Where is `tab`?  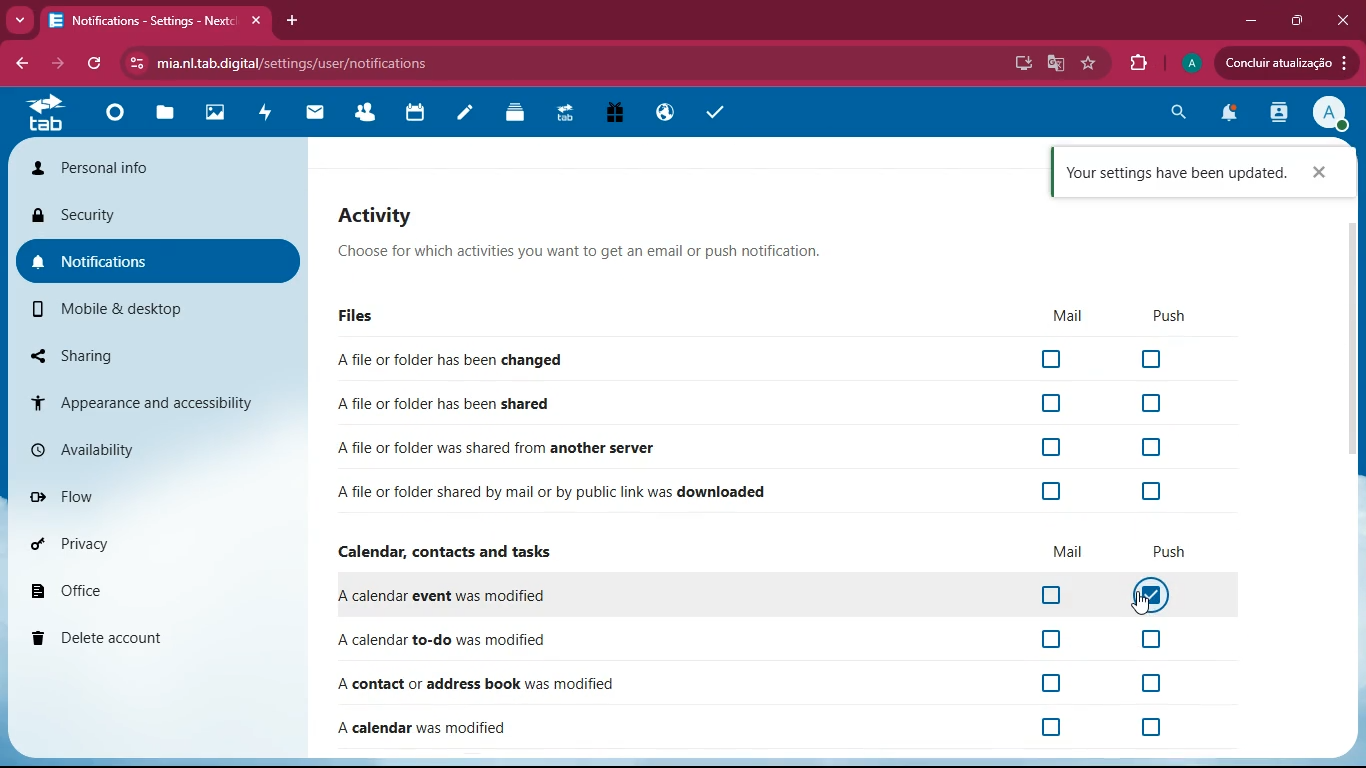
tab is located at coordinates (48, 118).